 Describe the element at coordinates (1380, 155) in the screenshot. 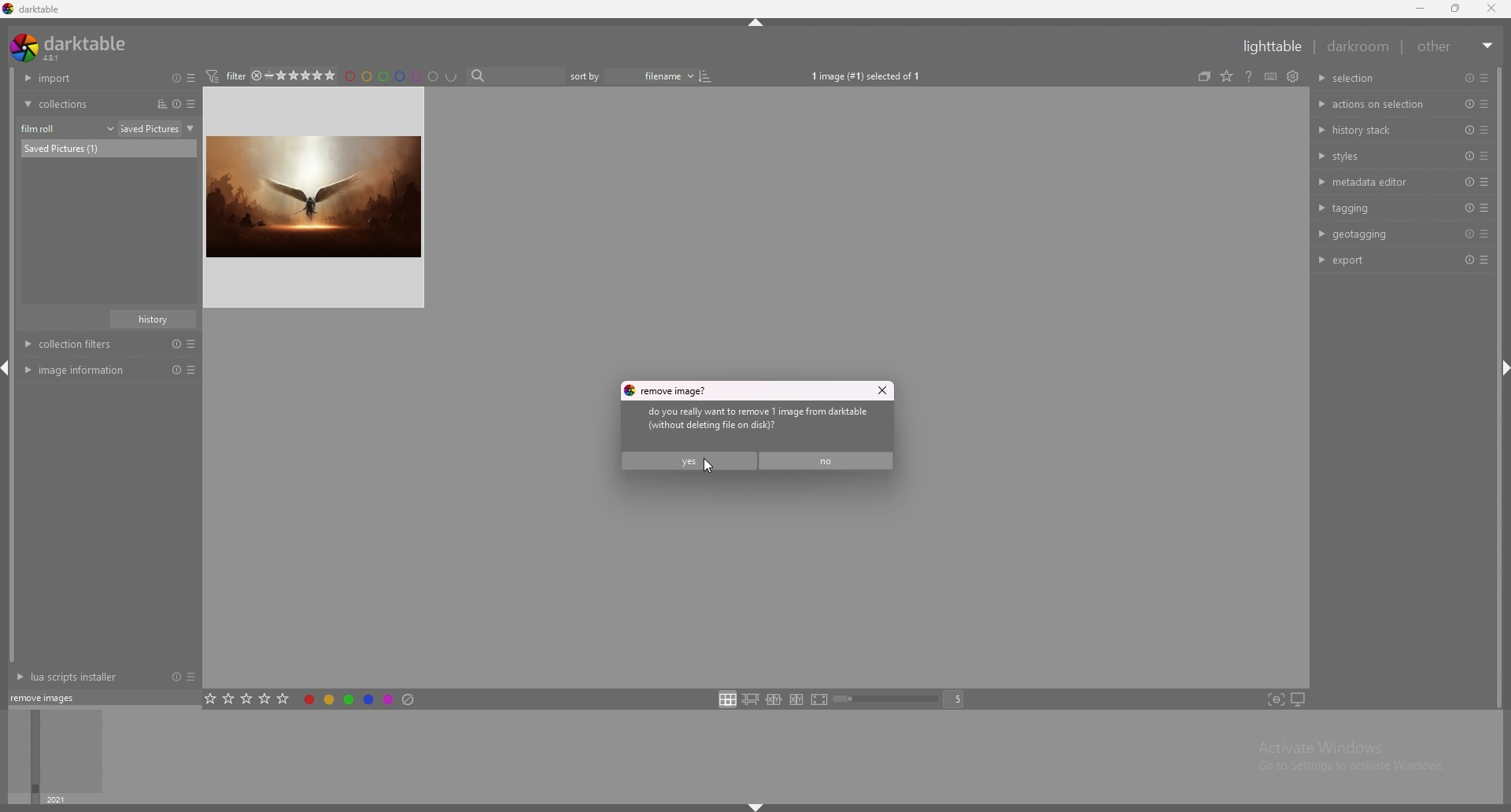

I see `styles` at that location.